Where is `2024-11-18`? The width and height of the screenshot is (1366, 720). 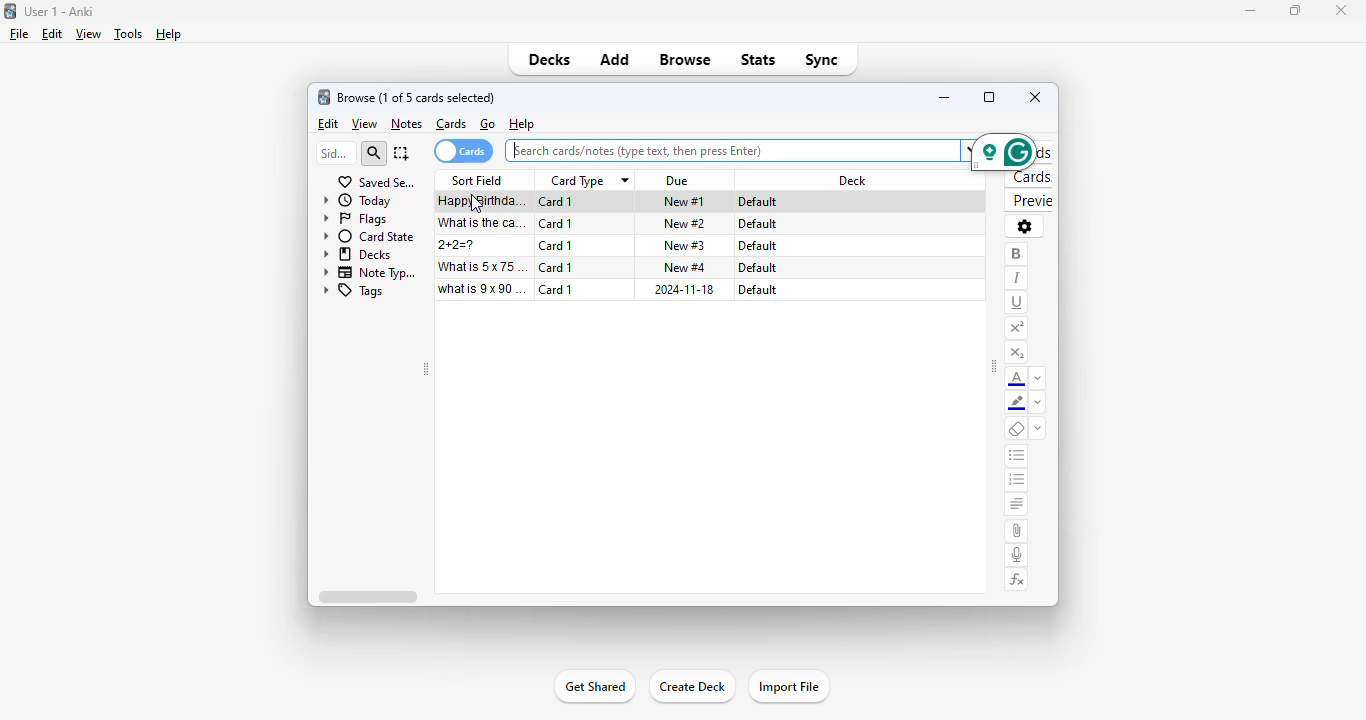 2024-11-18 is located at coordinates (682, 289).